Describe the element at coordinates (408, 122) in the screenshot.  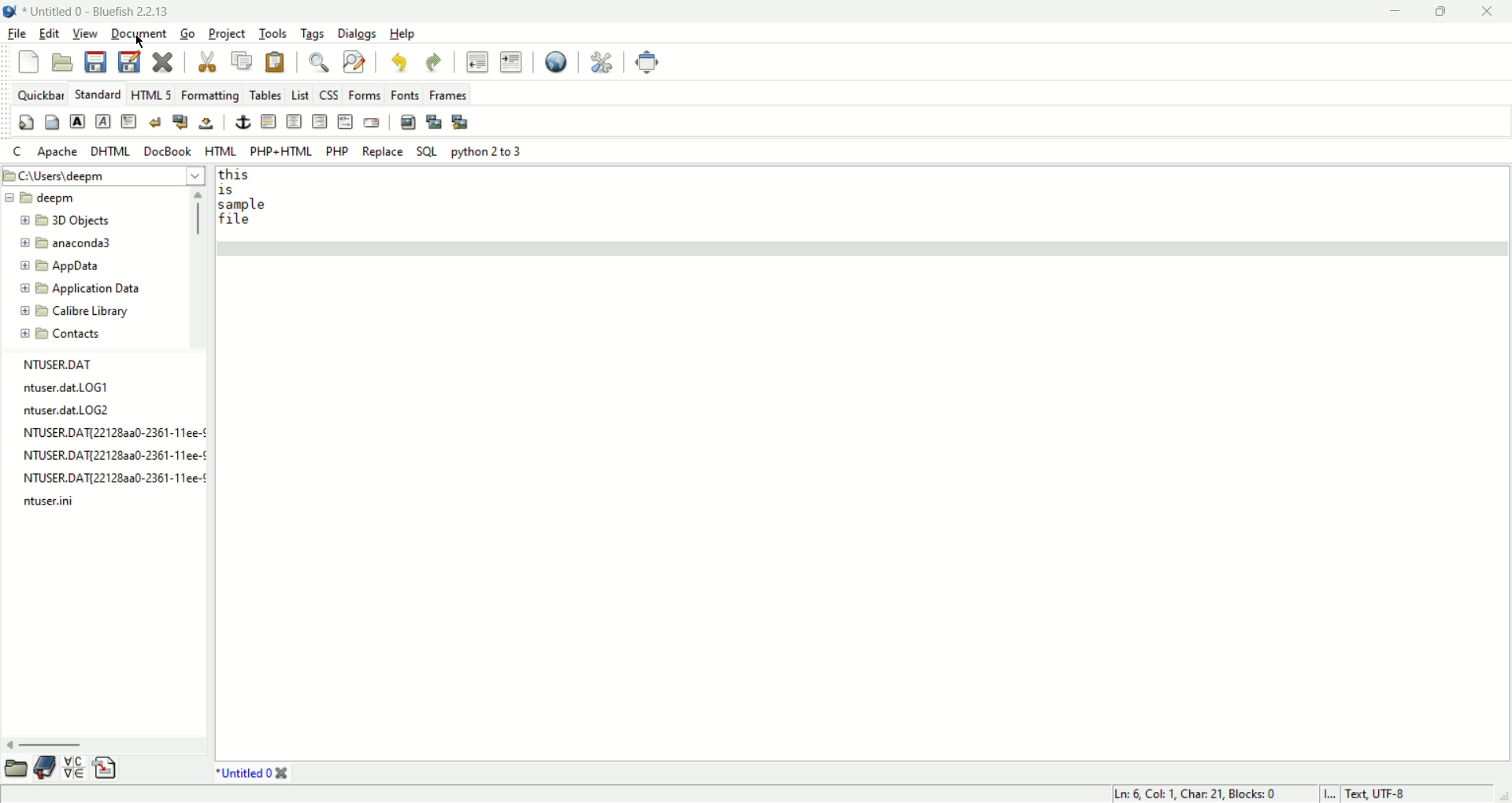
I see `insert image` at that location.